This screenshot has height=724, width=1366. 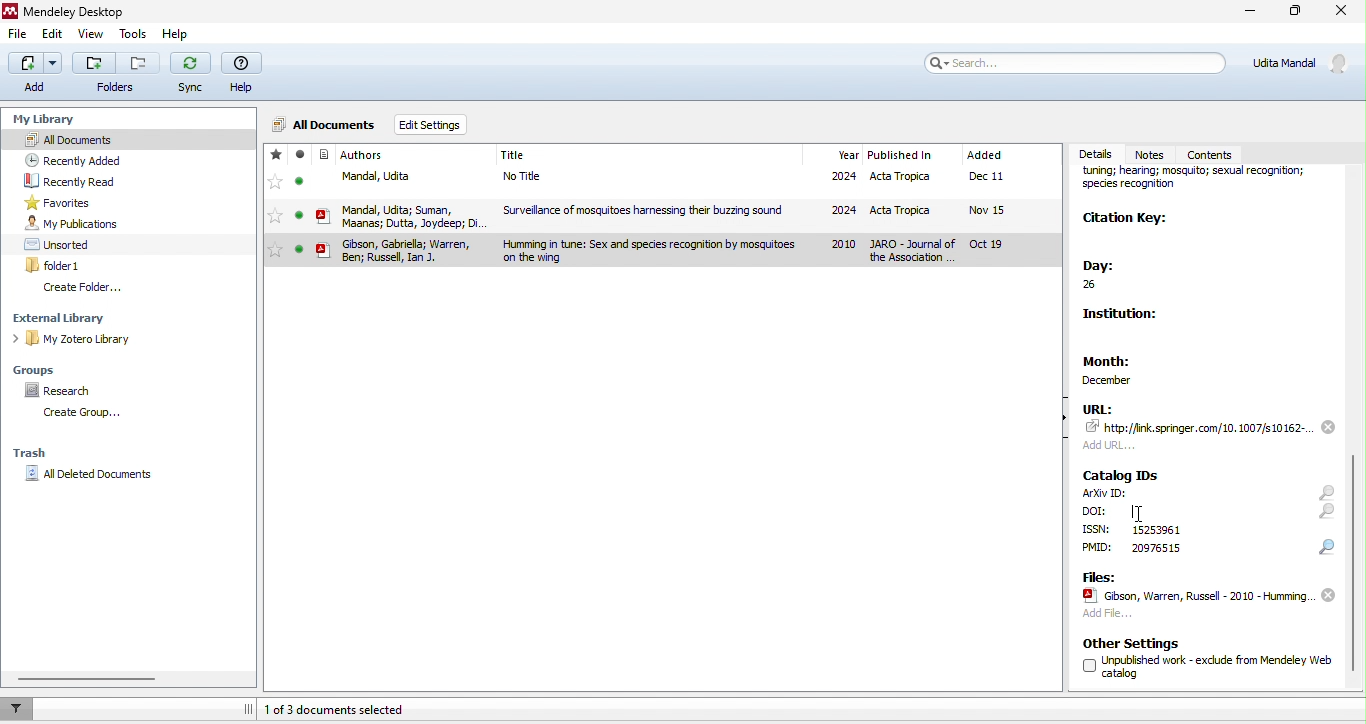 I want to click on help, so click(x=245, y=74).